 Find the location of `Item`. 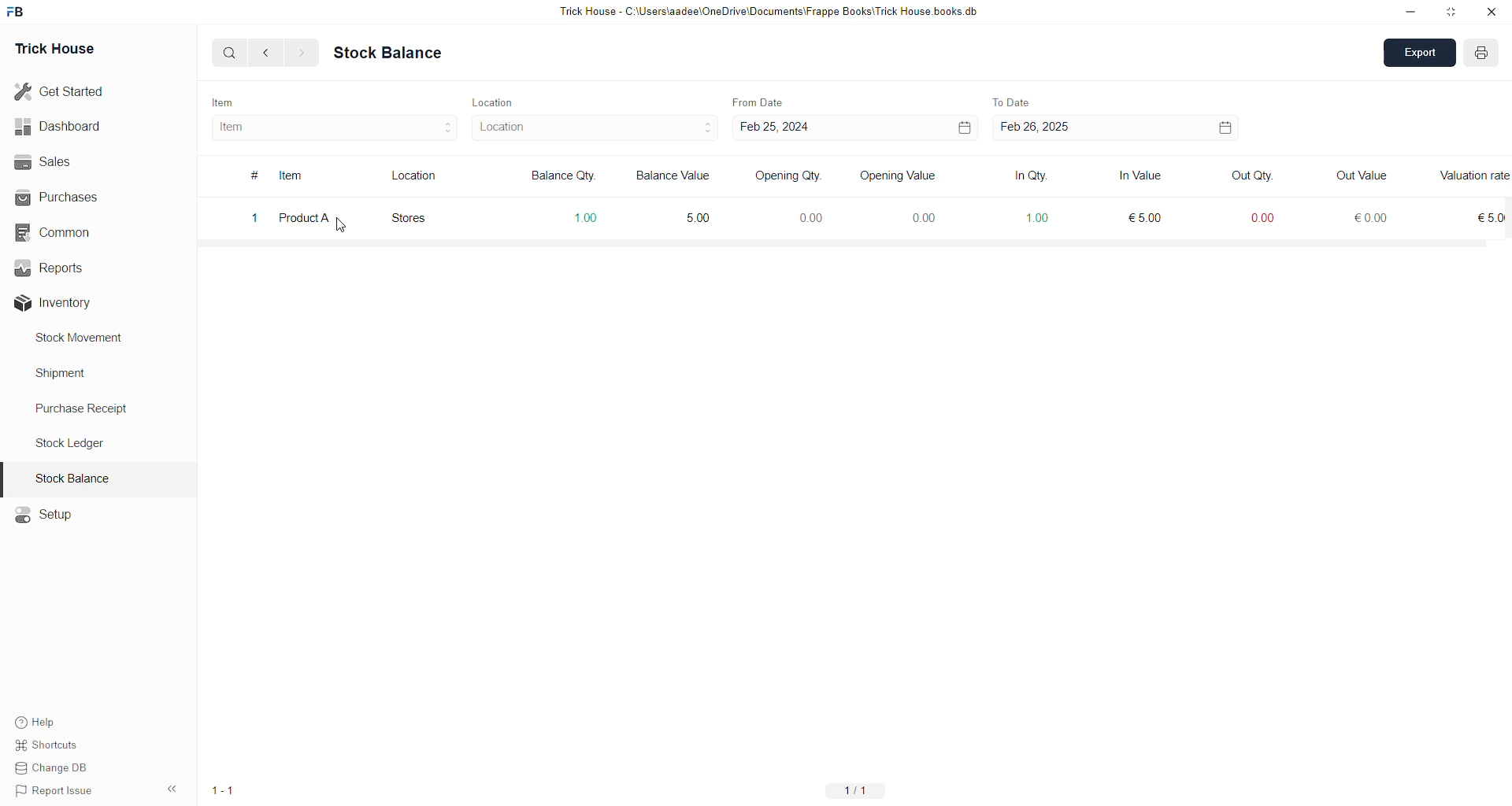

Item is located at coordinates (328, 128).